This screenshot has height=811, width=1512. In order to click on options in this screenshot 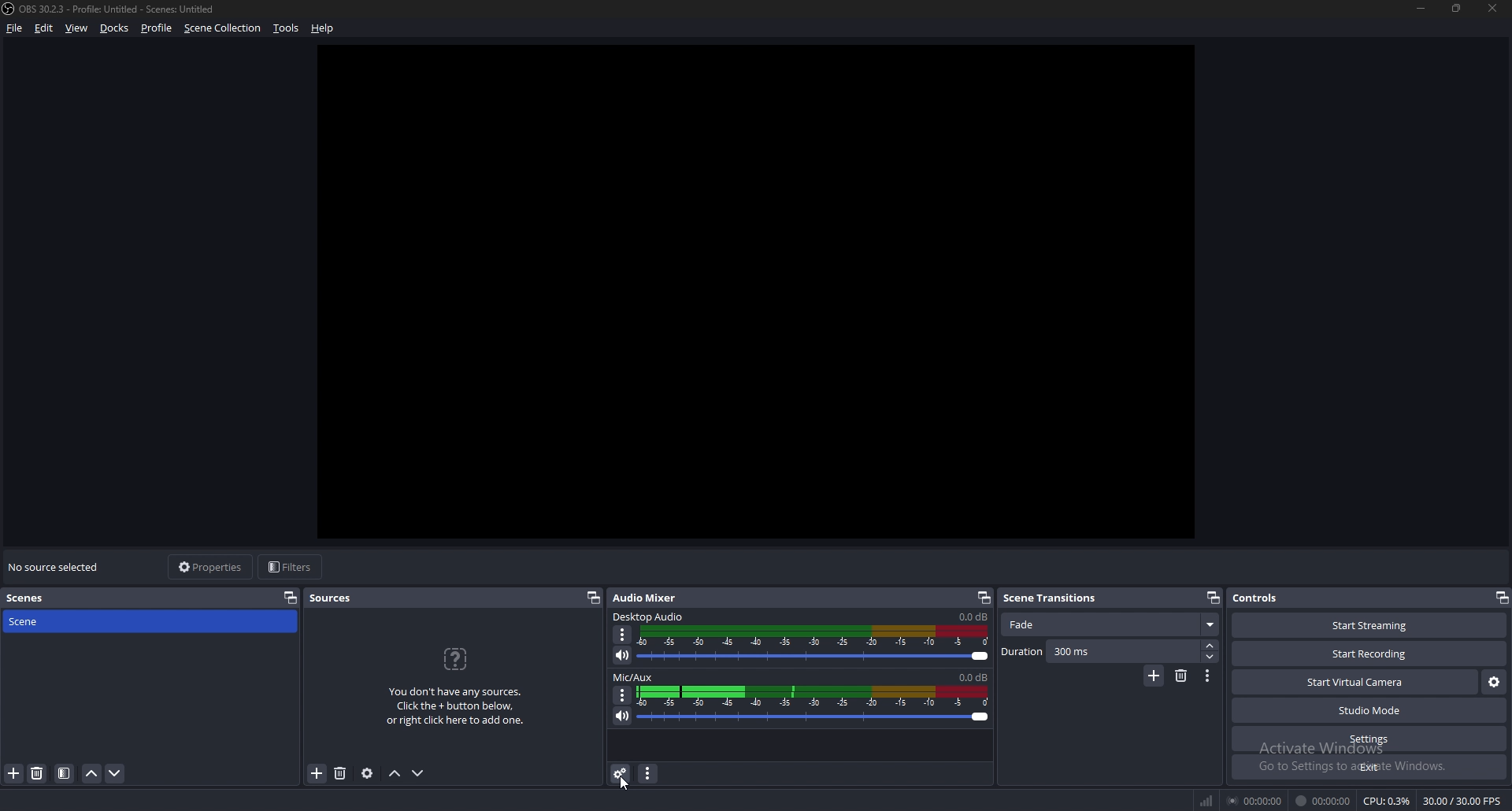, I will do `click(623, 694)`.